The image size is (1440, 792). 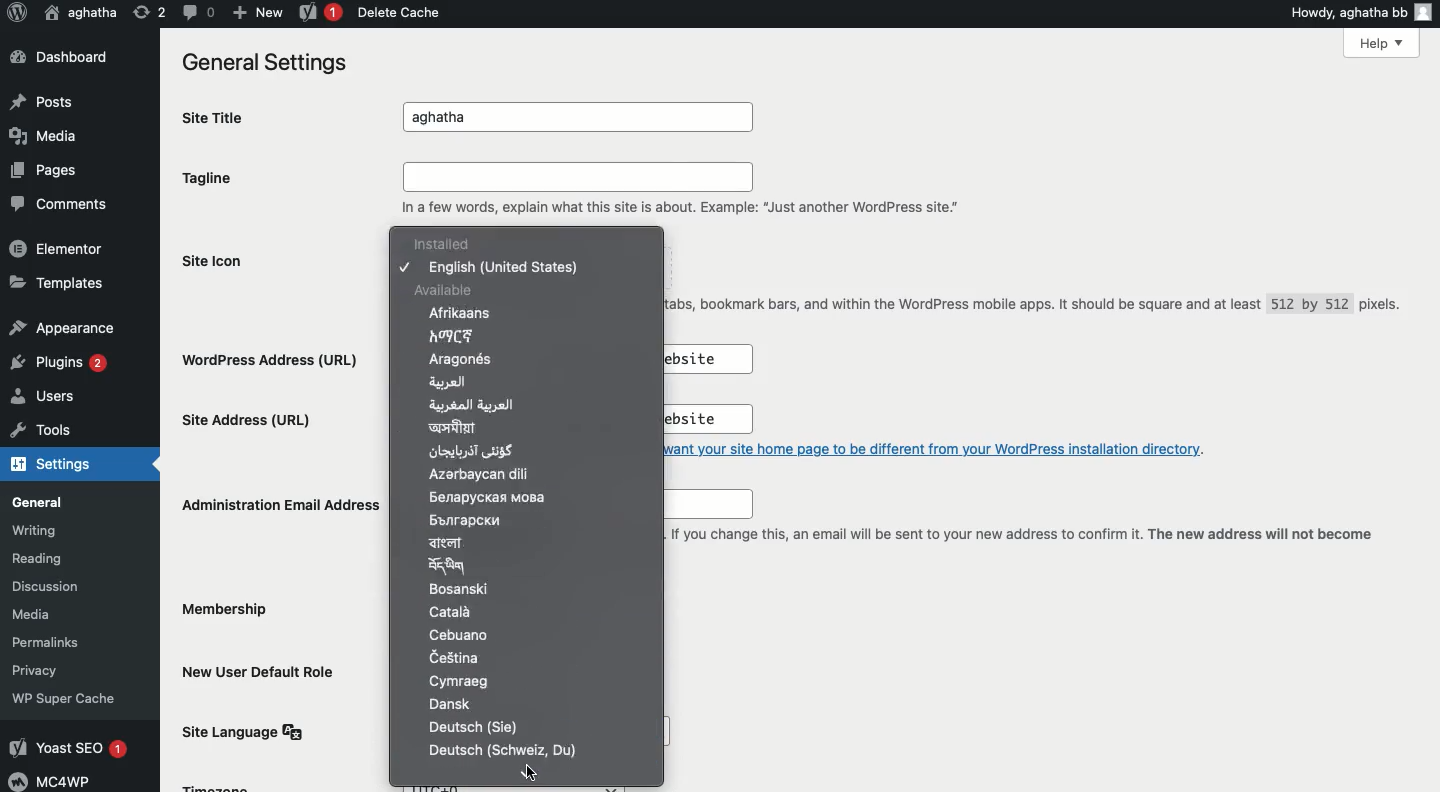 What do you see at coordinates (45, 530) in the screenshot?
I see `Writing` at bounding box center [45, 530].